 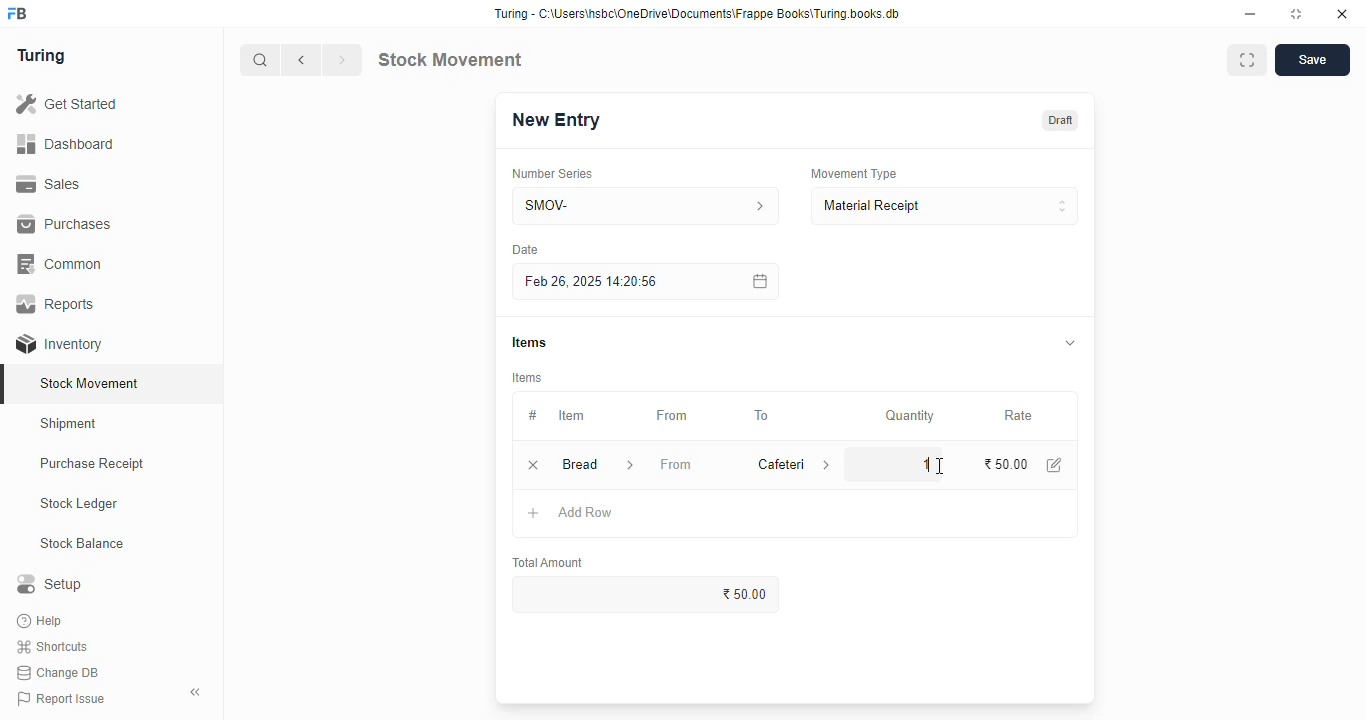 I want to click on stock balance, so click(x=83, y=544).